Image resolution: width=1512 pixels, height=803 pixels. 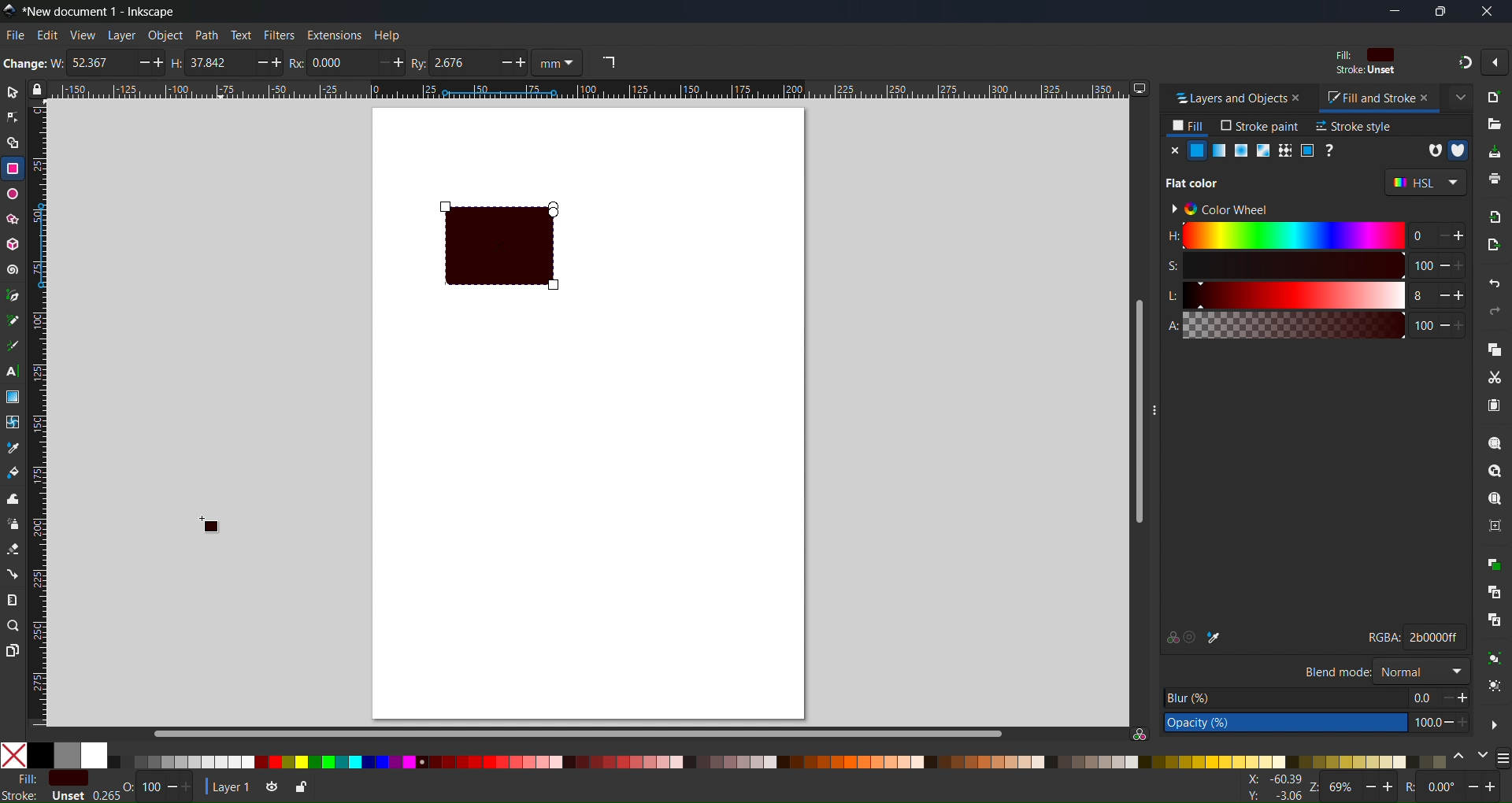 I want to click on 100, so click(x=1422, y=266).